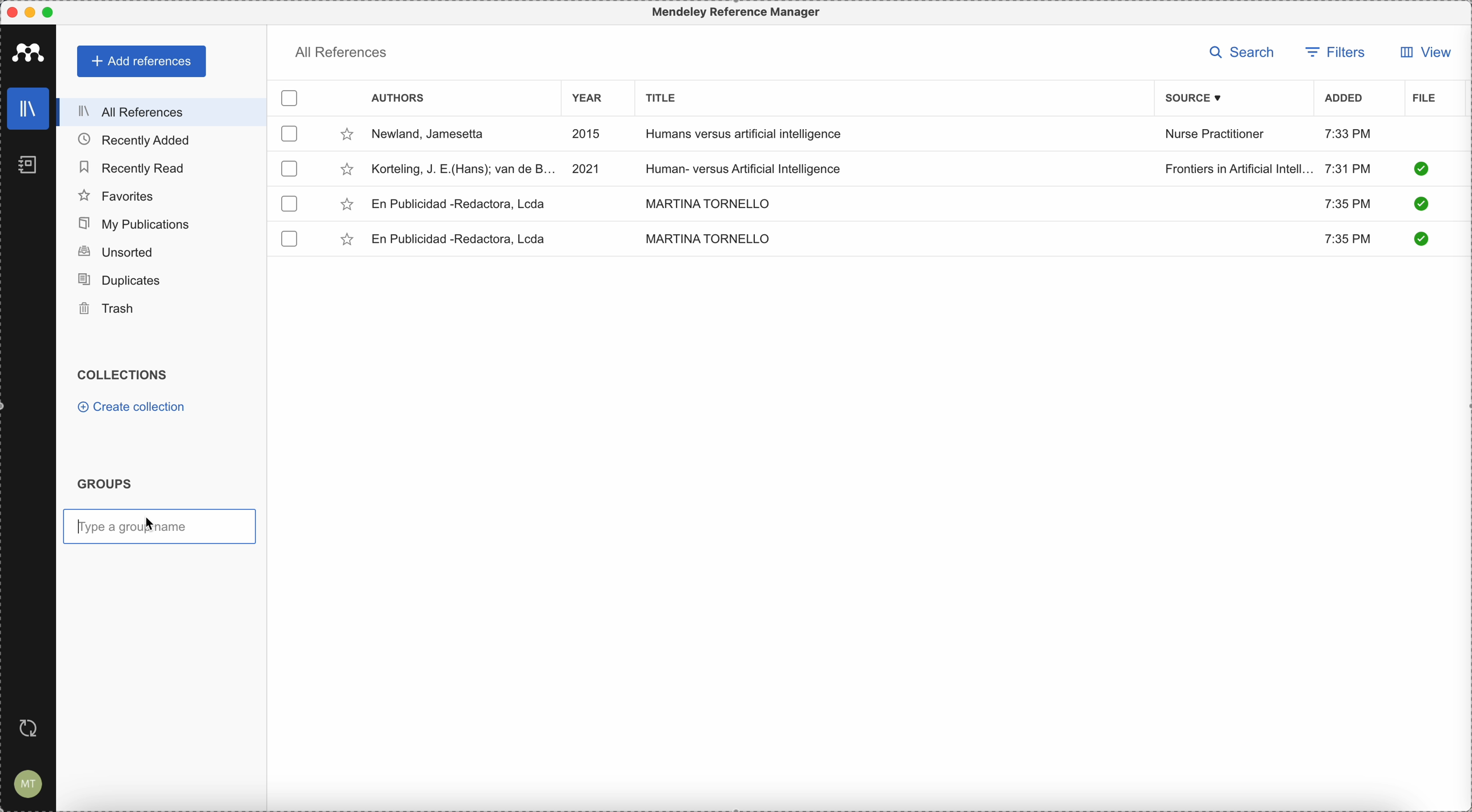 This screenshot has width=1472, height=812. Describe the element at coordinates (134, 409) in the screenshot. I see `create collection` at that location.